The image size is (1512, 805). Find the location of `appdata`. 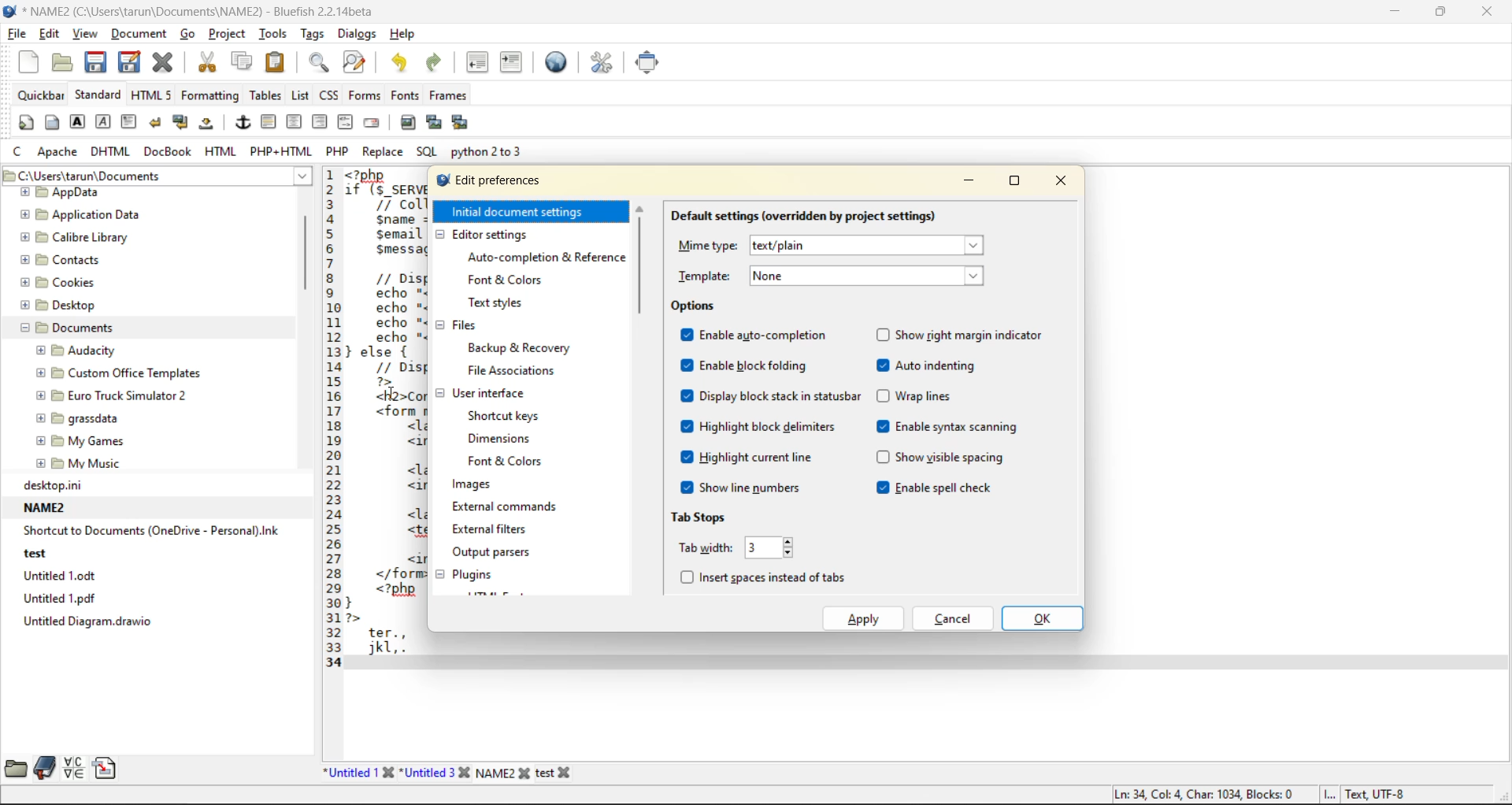

appdata is located at coordinates (69, 193).